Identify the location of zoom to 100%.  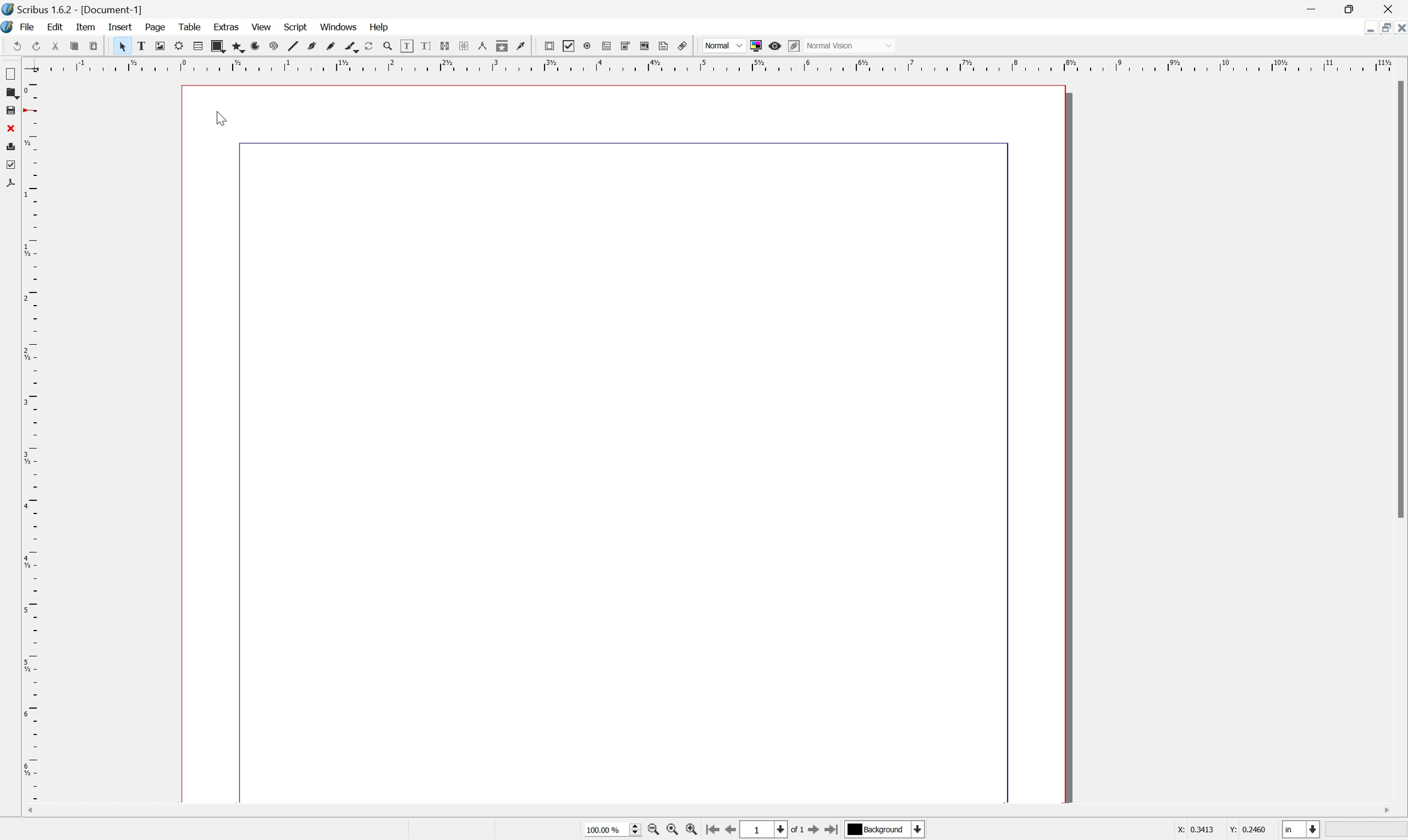
(670, 831).